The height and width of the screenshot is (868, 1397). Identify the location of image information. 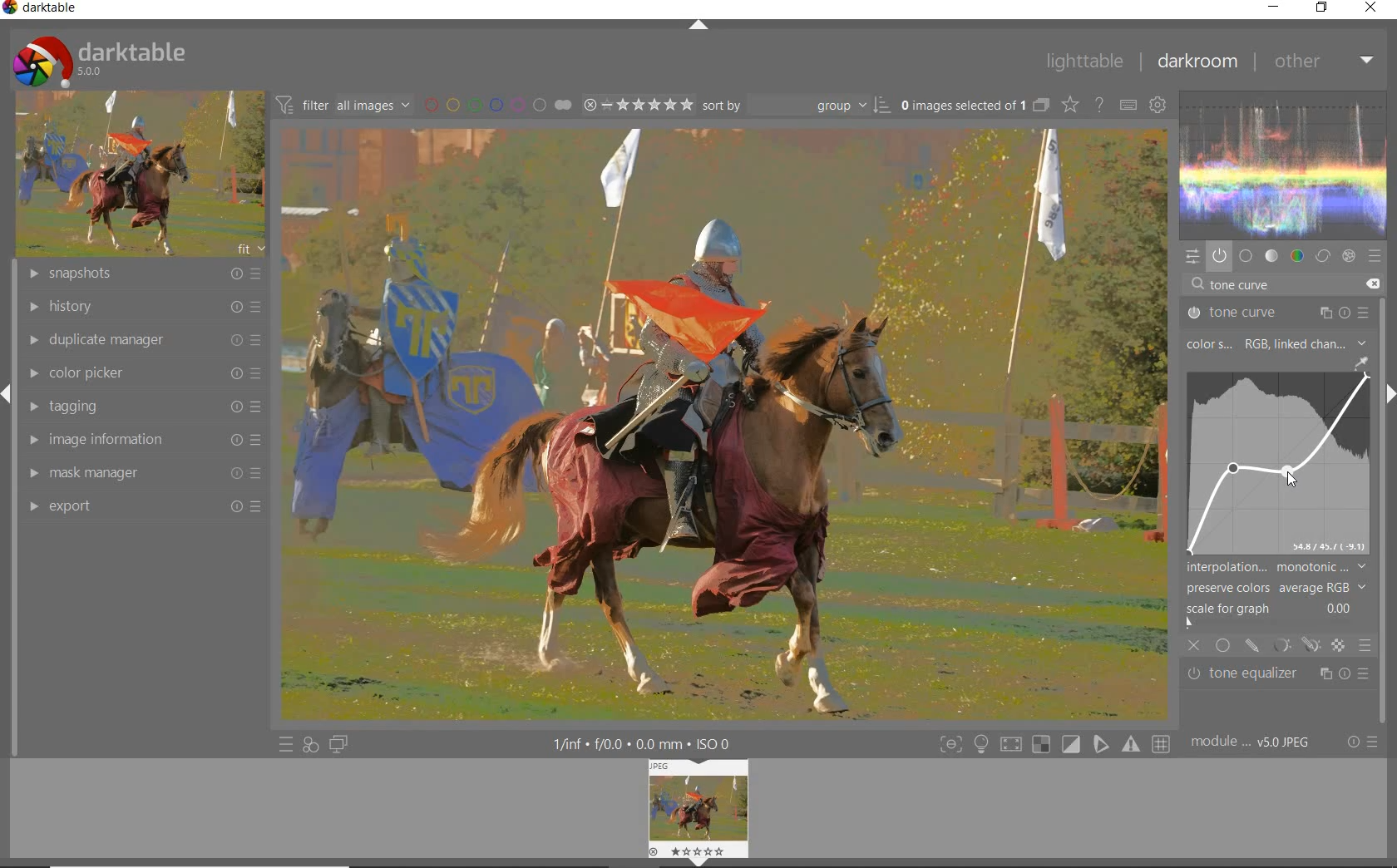
(141, 440).